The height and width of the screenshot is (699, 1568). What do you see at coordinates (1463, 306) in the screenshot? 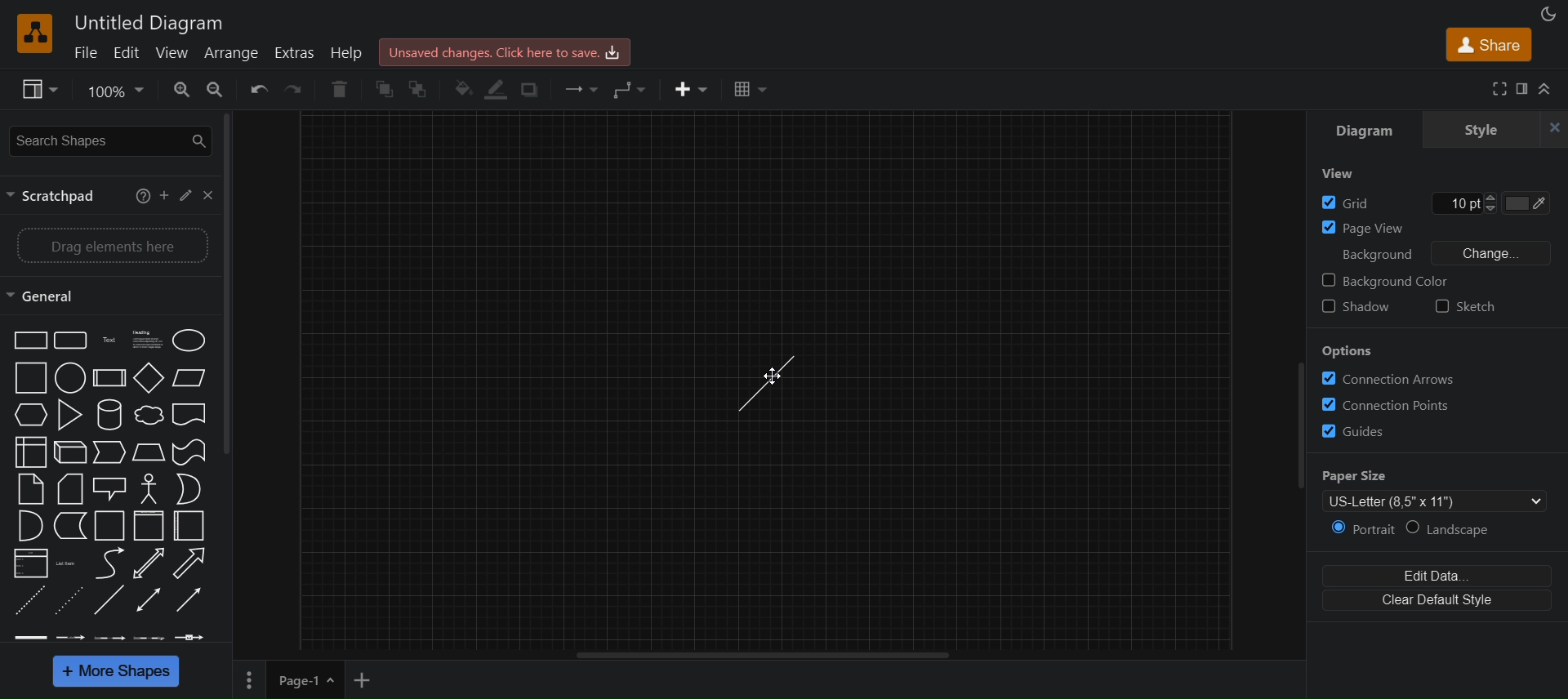
I see `sketch` at bounding box center [1463, 306].